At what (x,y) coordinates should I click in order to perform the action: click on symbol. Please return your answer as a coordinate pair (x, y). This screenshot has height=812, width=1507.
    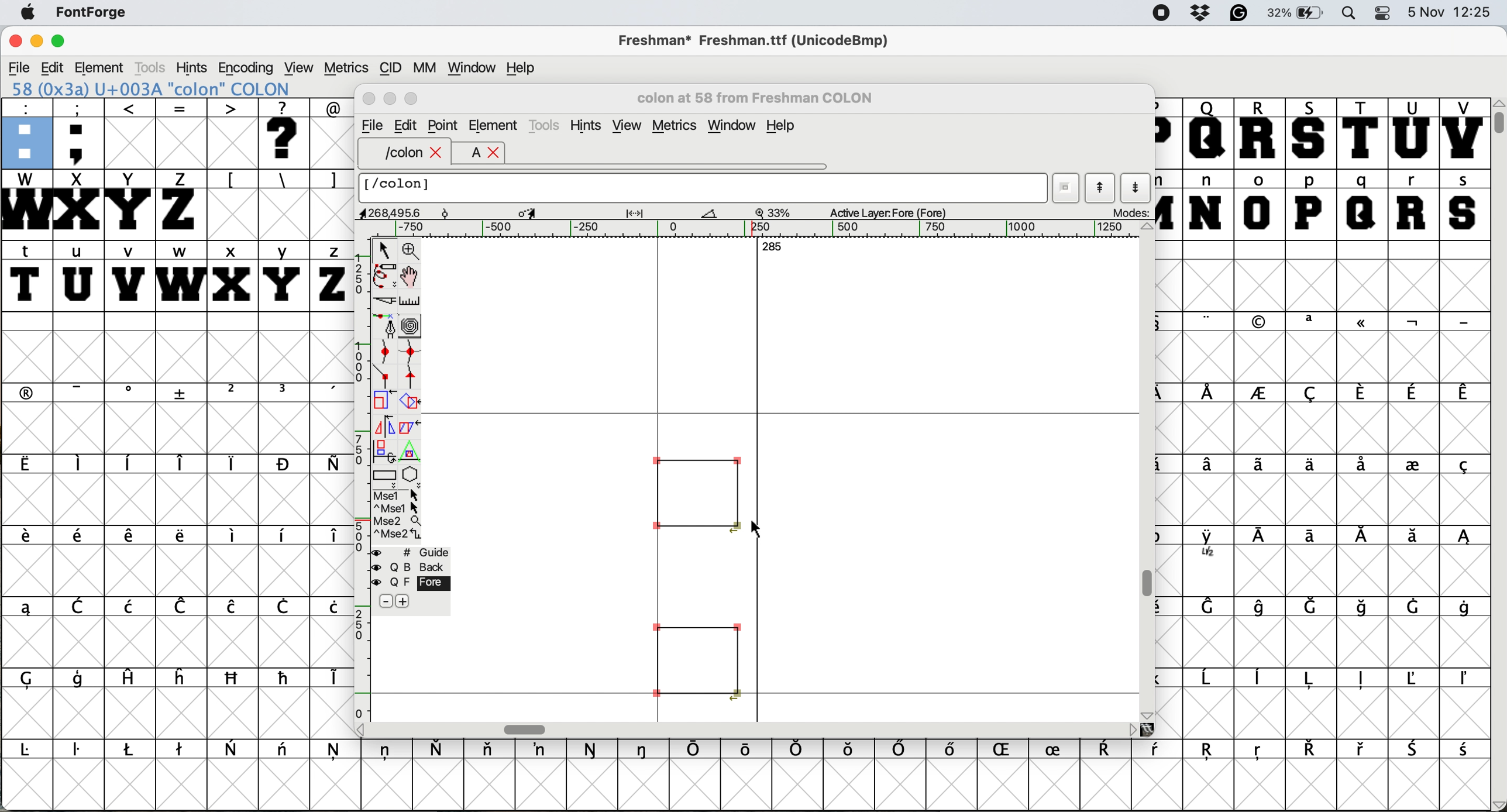
    Looking at the image, I should click on (851, 751).